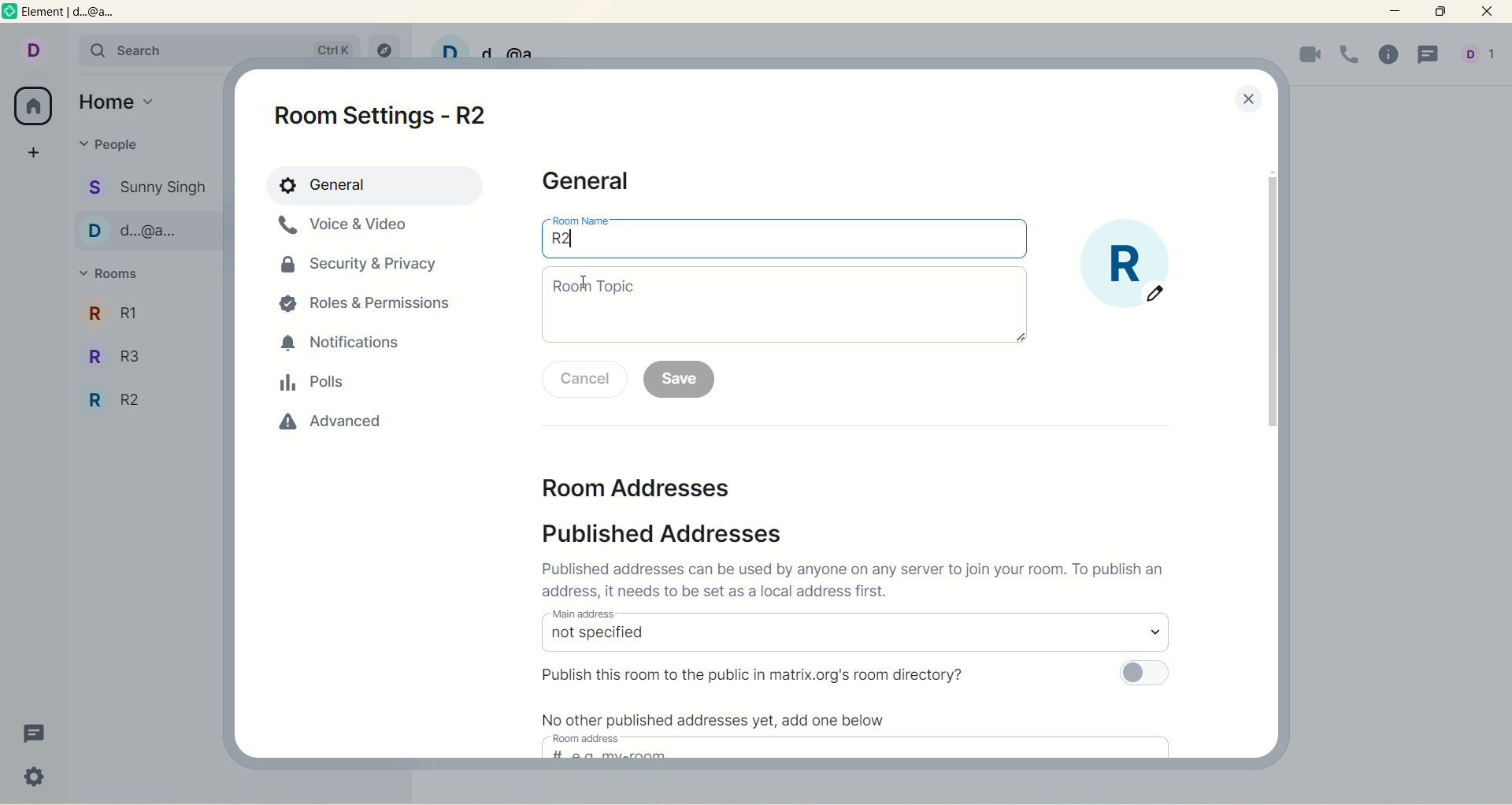  I want to click on polls, so click(313, 384).